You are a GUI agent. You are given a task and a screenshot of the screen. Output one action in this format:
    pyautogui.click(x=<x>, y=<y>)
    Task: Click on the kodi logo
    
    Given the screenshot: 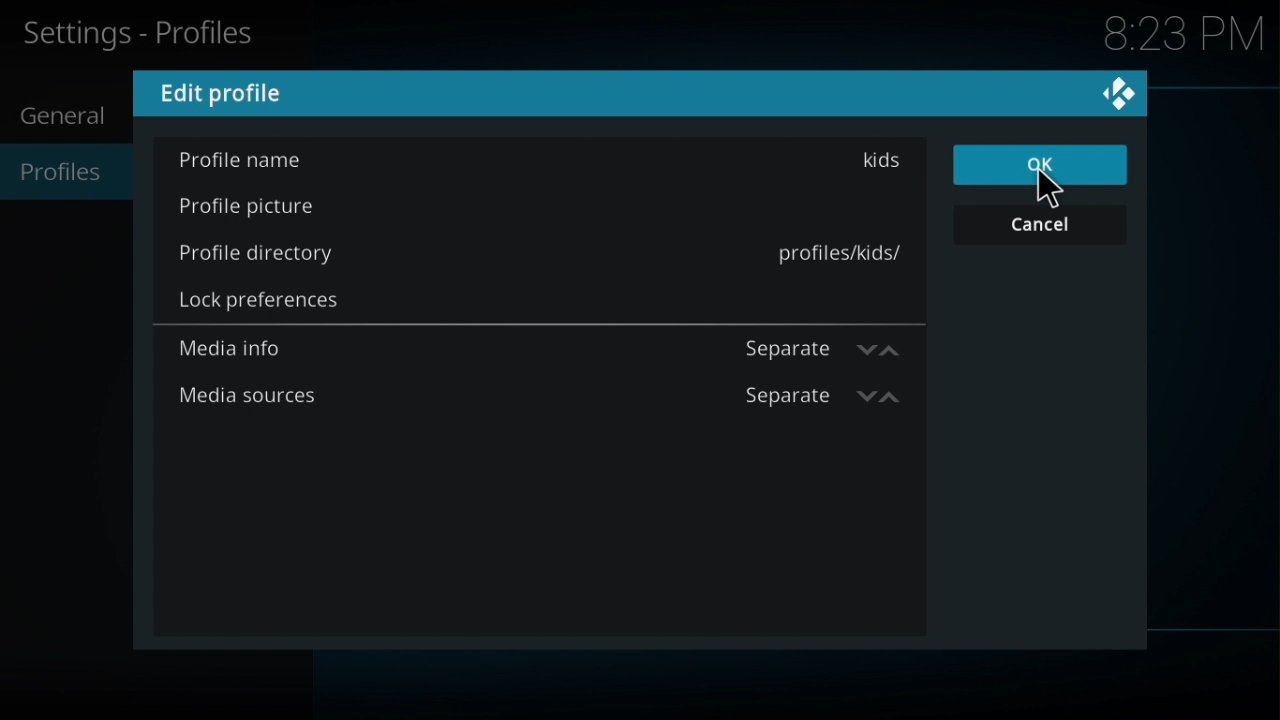 What is the action you would take?
    pyautogui.click(x=1115, y=93)
    